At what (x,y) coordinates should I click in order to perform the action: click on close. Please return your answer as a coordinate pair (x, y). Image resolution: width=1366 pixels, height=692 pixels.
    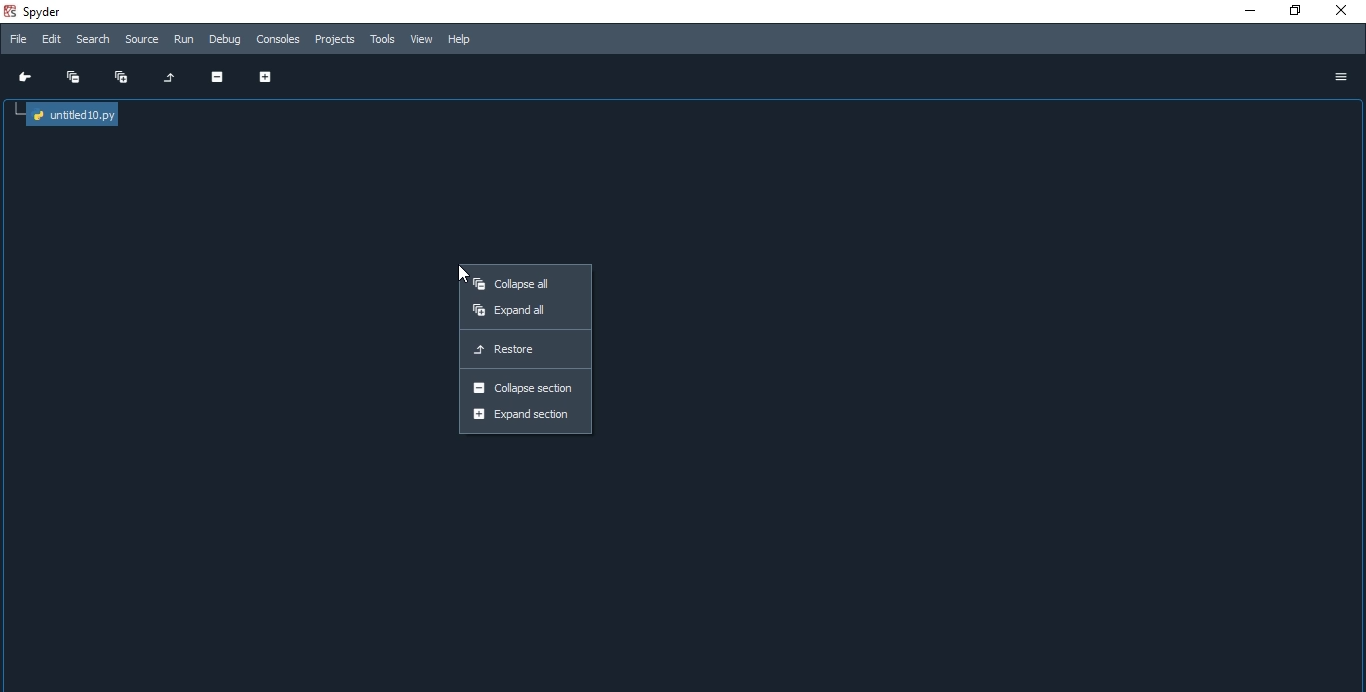
    Looking at the image, I should click on (1343, 11).